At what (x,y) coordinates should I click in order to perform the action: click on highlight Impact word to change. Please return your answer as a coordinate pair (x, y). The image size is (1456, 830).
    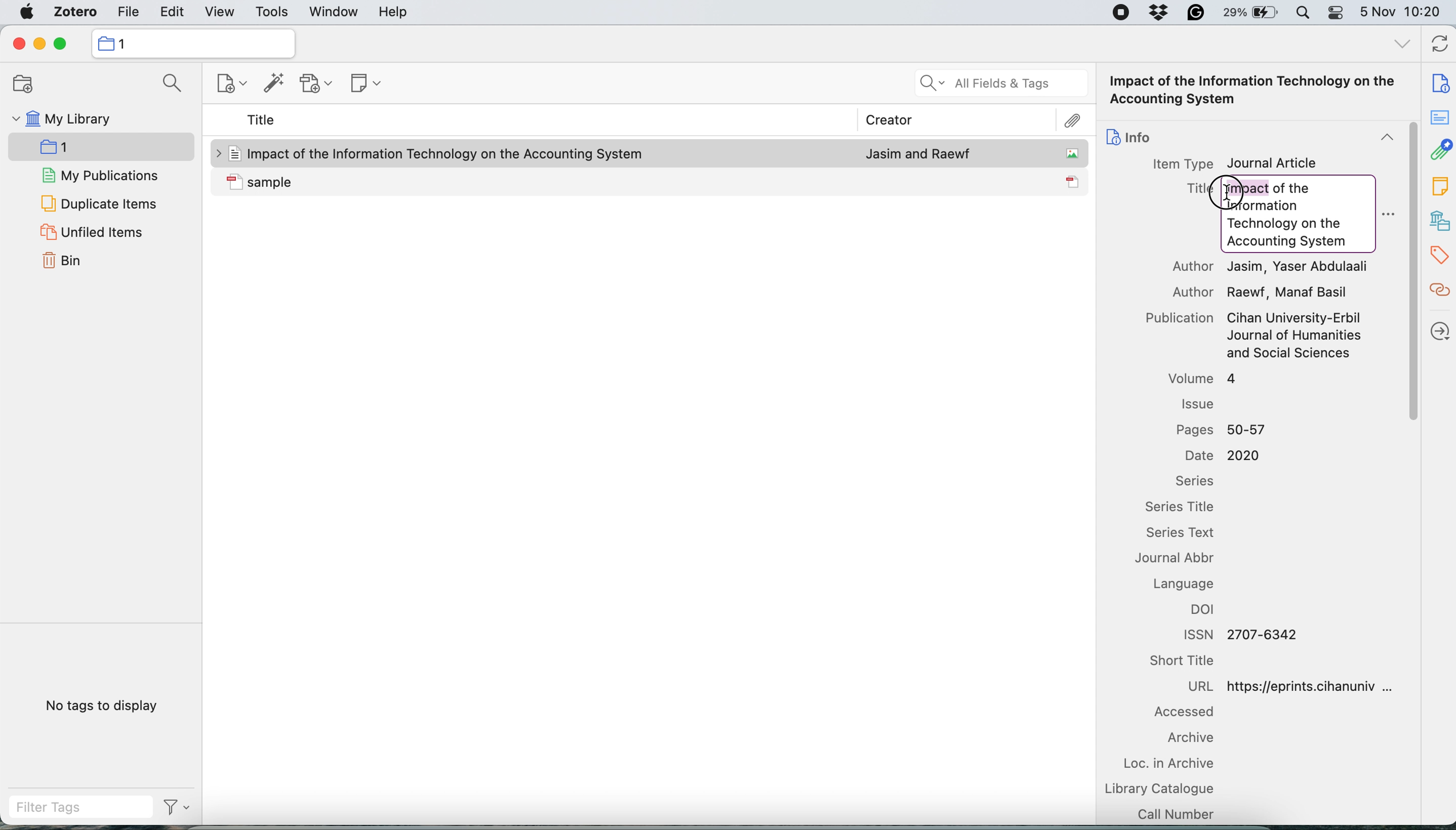
    Looking at the image, I should click on (1246, 187).